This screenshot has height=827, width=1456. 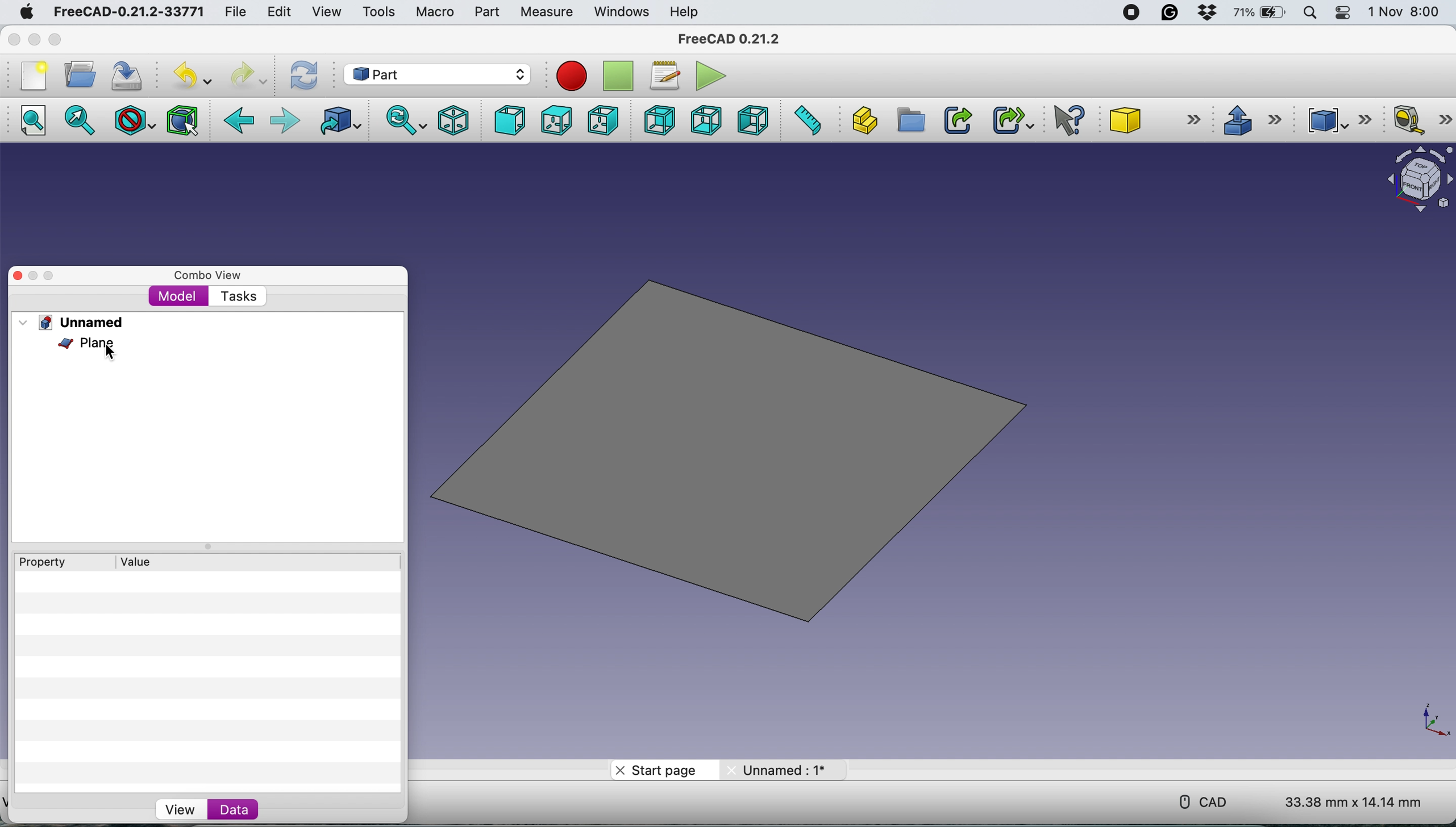 What do you see at coordinates (126, 76) in the screenshot?
I see `save` at bounding box center [126, 76].